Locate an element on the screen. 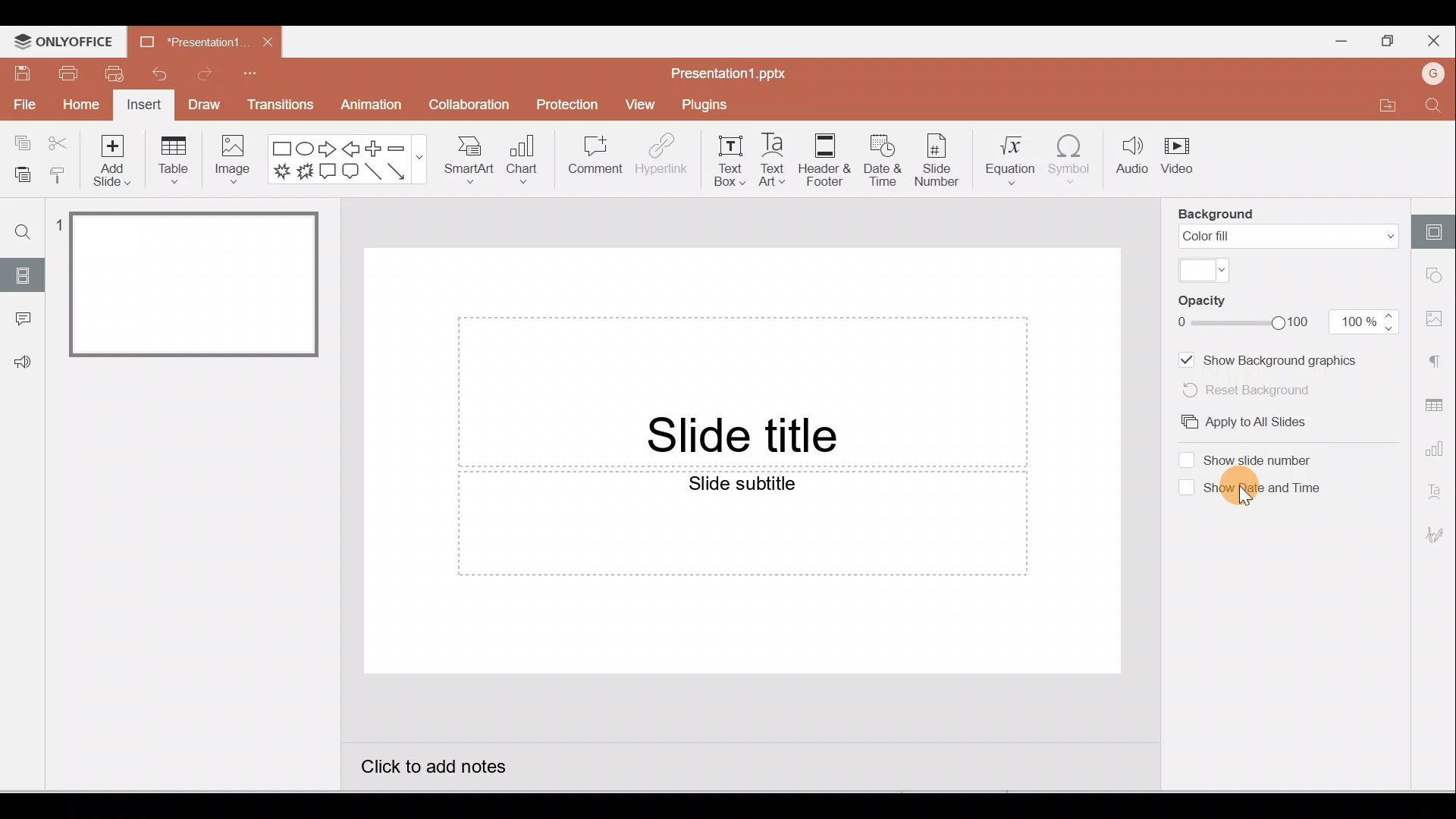 Image resolution: width=1456 pixels, height=819 pixels. Background is located at coordinates (1219, 214).